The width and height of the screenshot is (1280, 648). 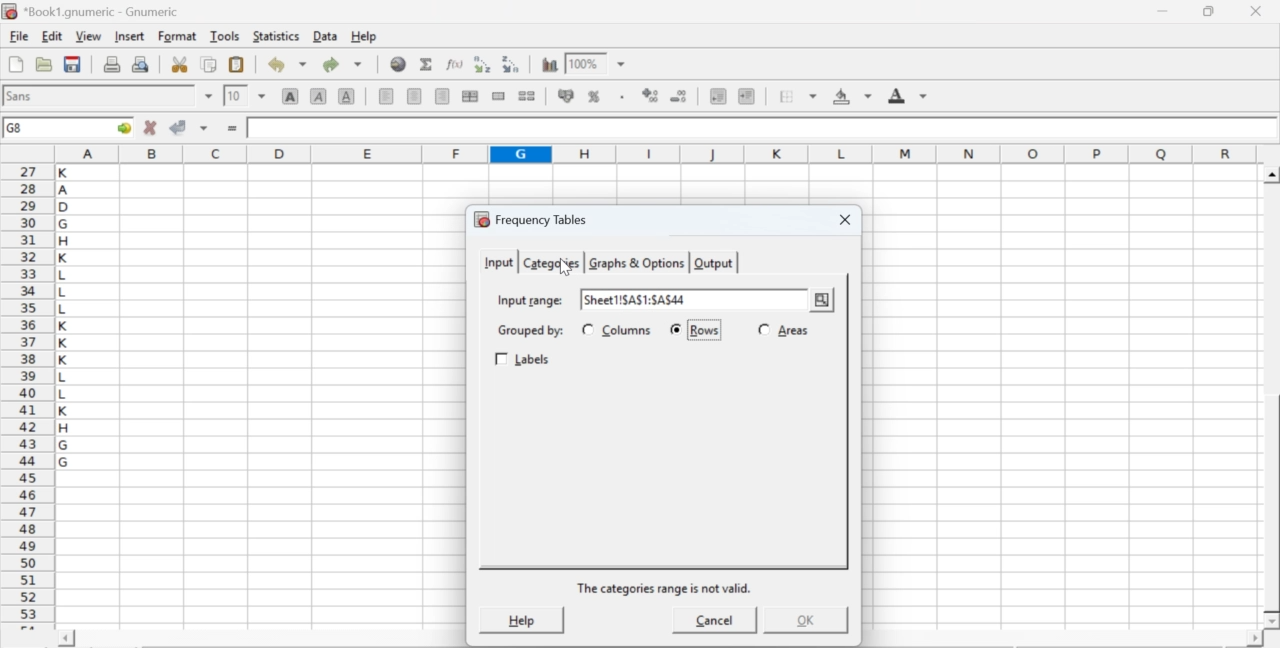 What do you see at coordinates (566, 95) in the screenshot?
I see `format selection as accounting` at bounding box center [566, 95].